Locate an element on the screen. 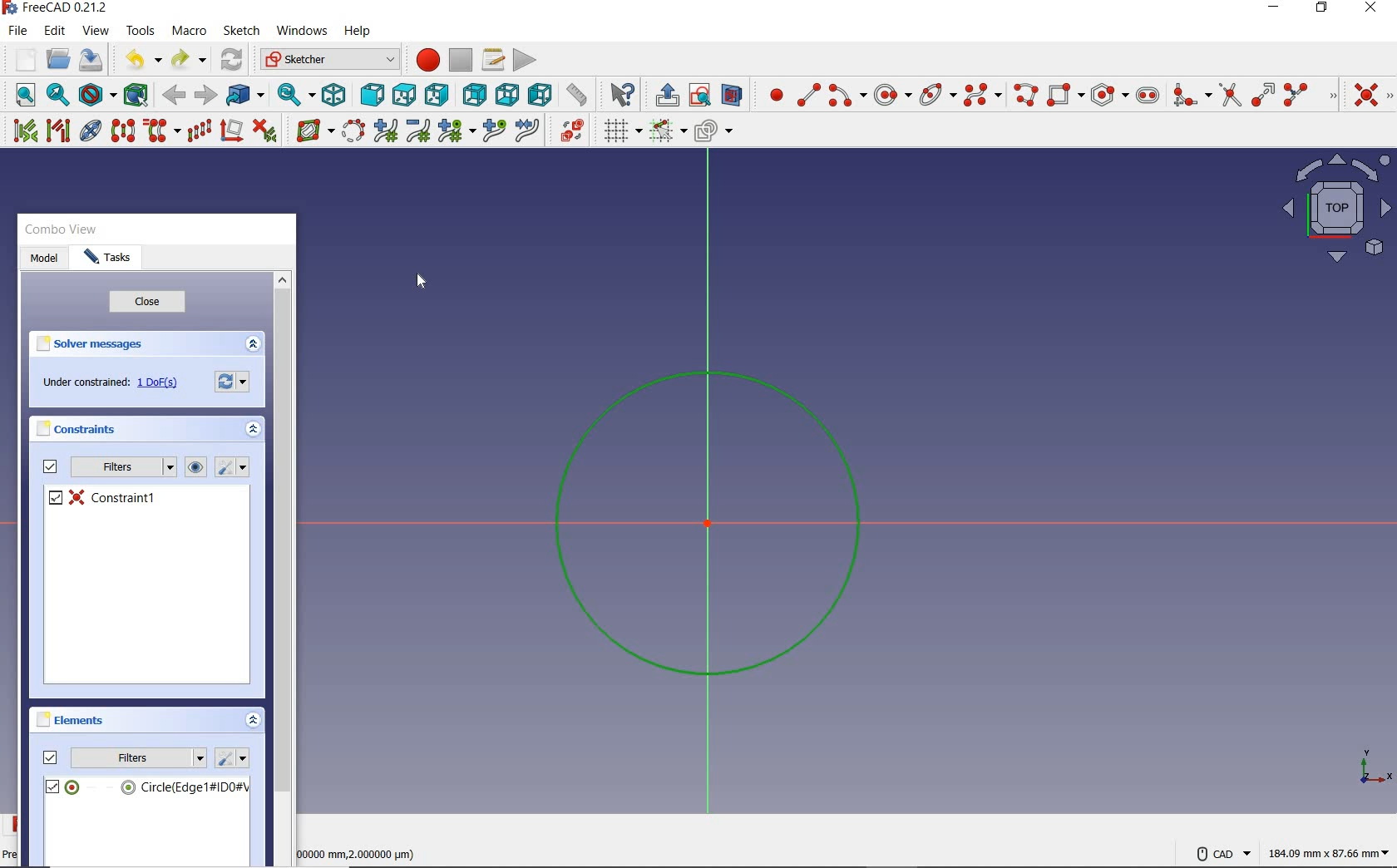  create polyline is located at coordinates (1024, 96).